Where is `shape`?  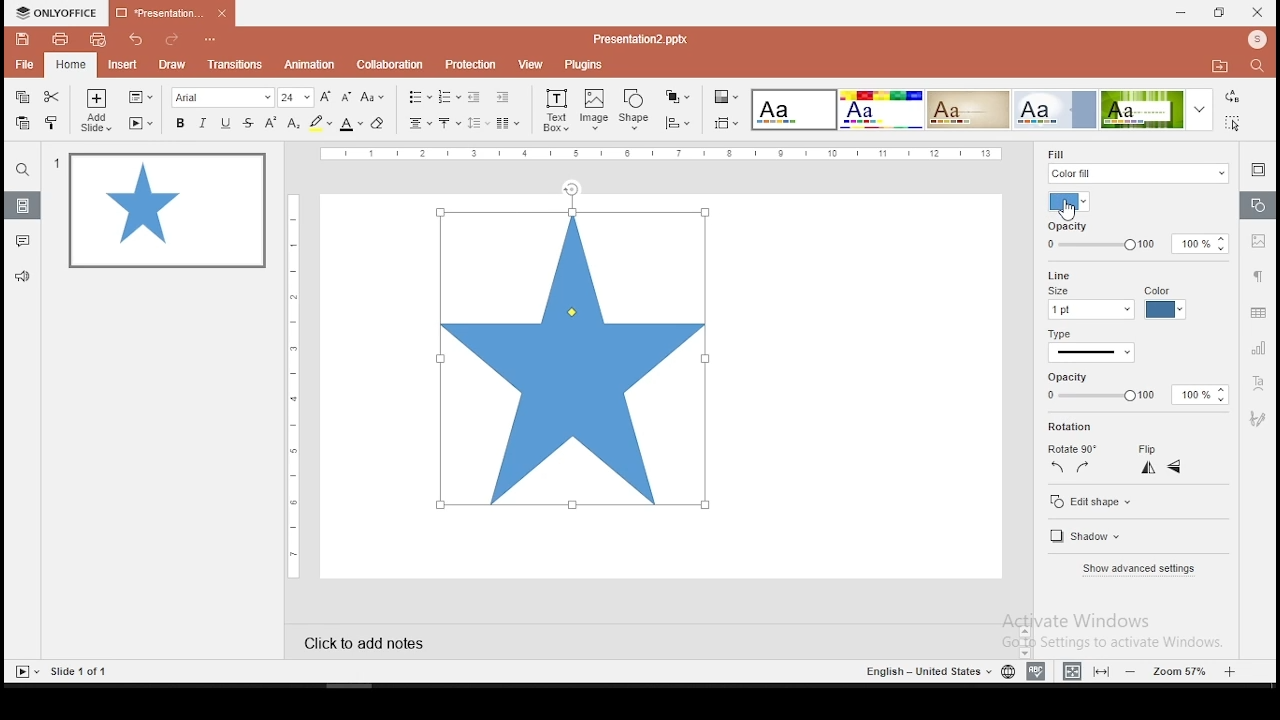 shape is located at coordinates (637, 111).